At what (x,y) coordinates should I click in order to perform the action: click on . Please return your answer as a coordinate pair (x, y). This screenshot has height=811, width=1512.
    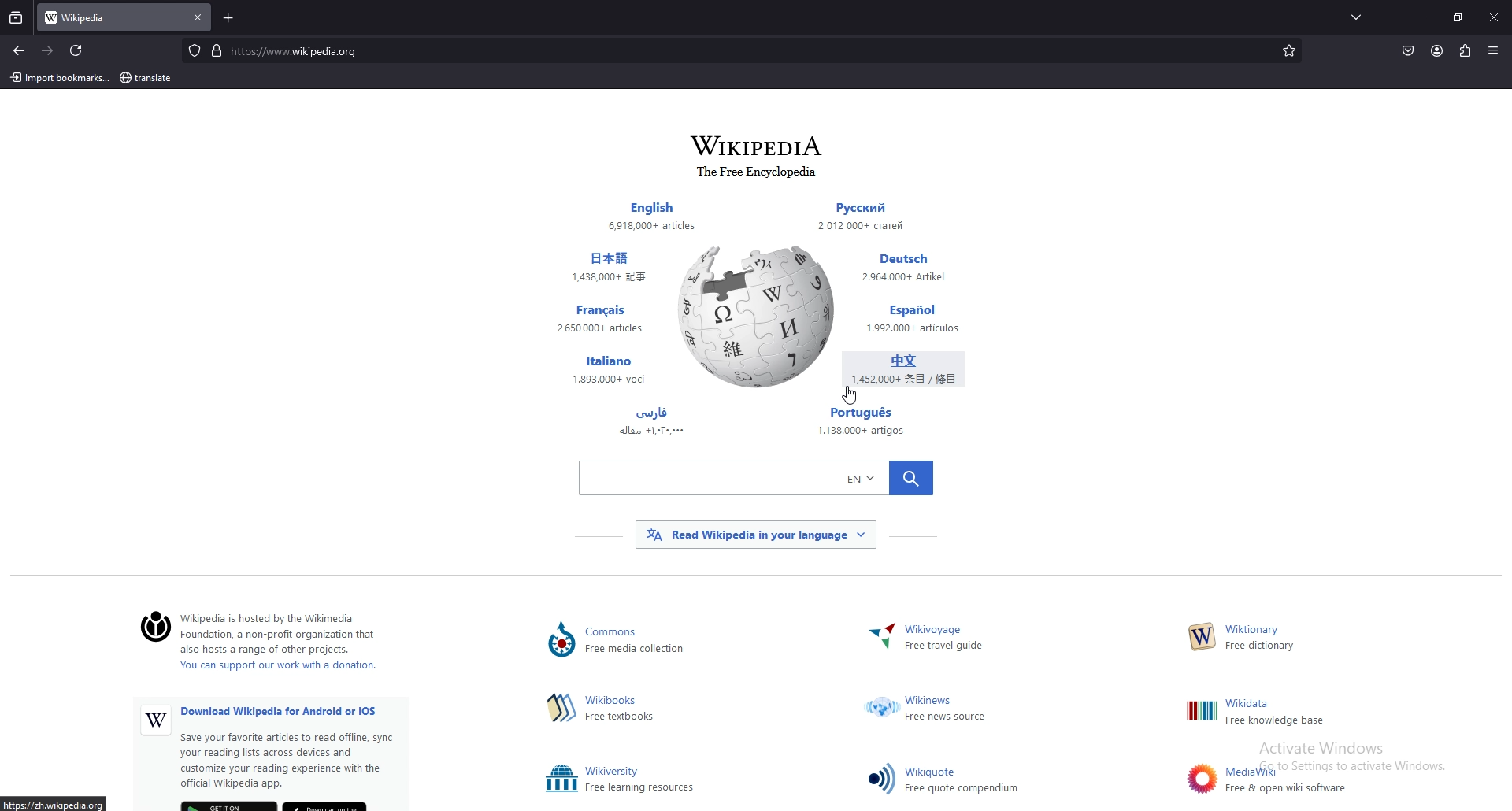
    Looking at the image, I should click on (1289, 713).